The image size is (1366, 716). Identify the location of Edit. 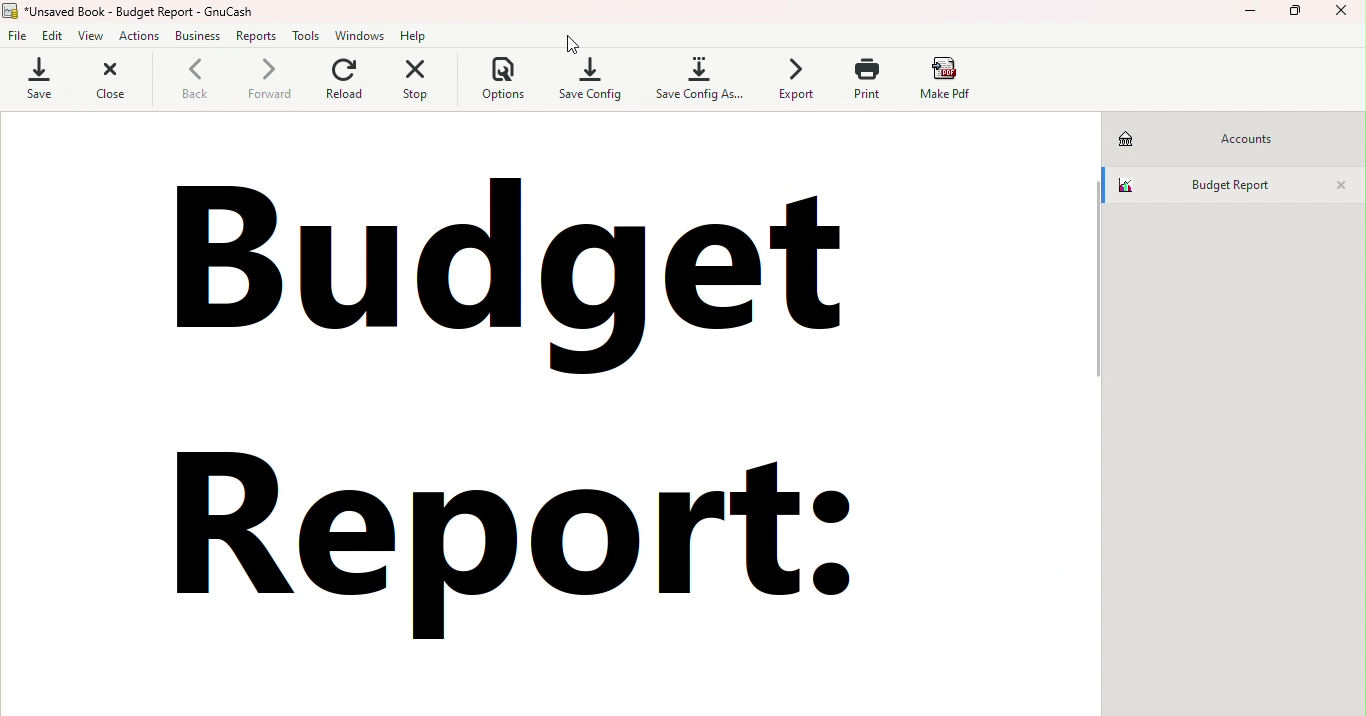
(52, 38).